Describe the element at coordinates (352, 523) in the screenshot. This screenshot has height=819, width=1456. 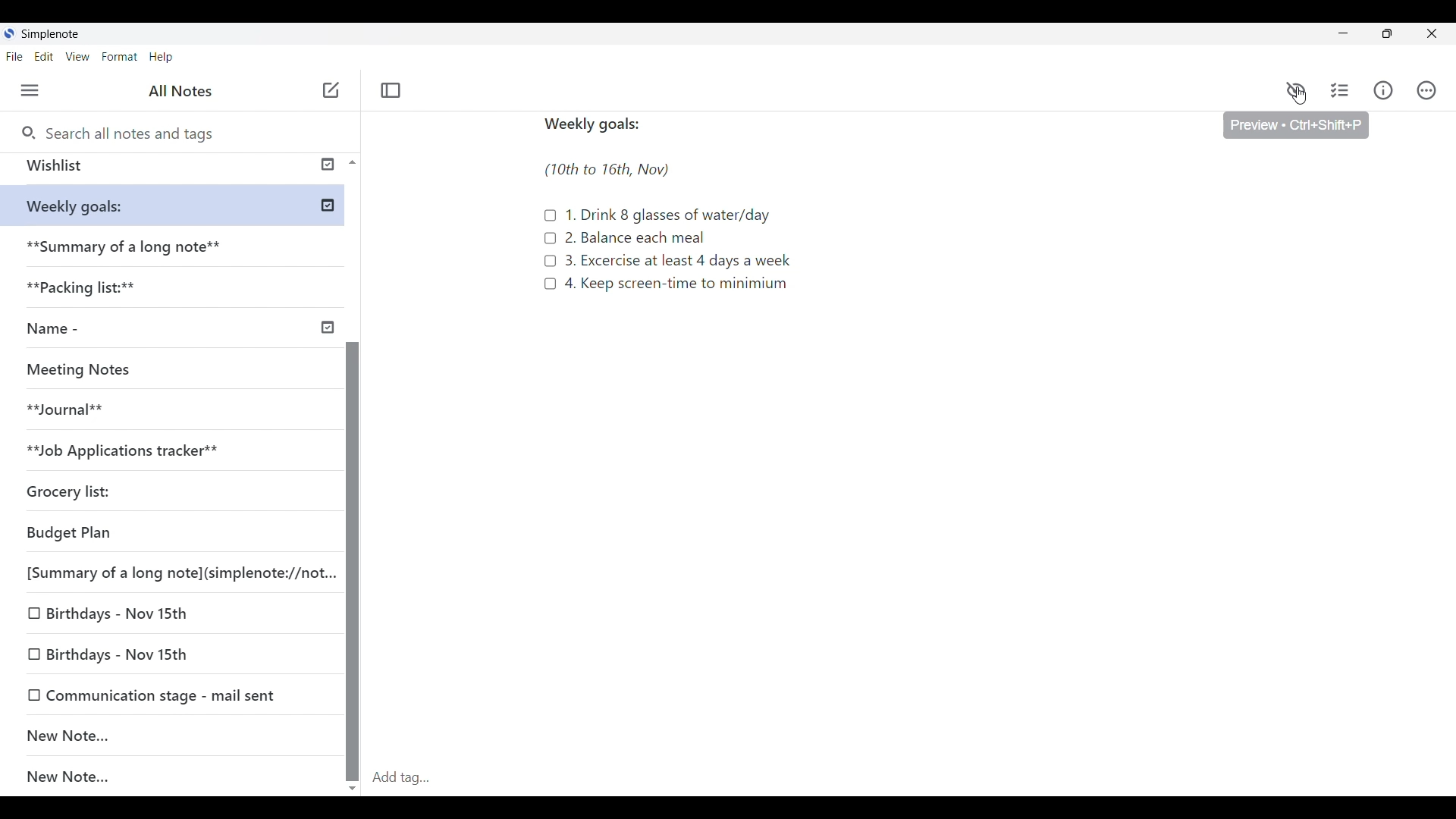
I see `Scroll bar` at that location.